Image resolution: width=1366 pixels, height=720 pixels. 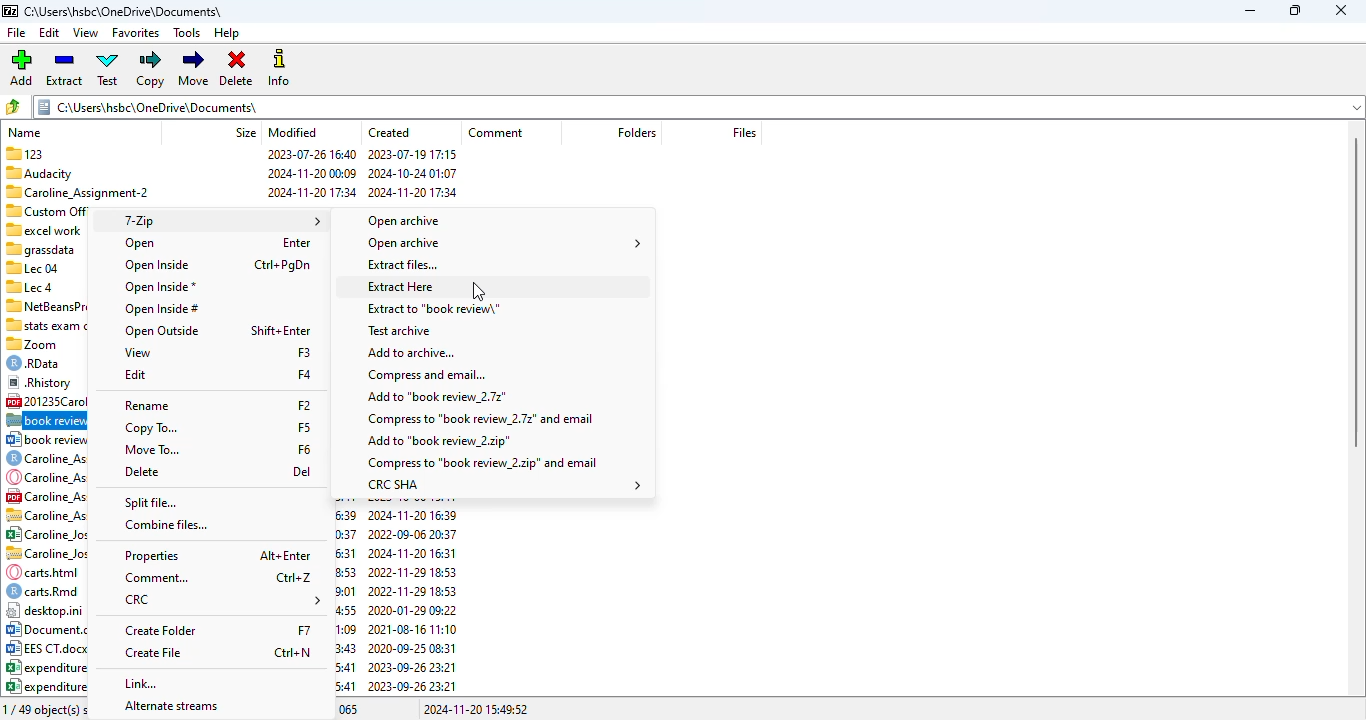 What do you see at coordinates (171, 707) in the screenshot?
I see `alternate streams` at bounding box center [171, 707].